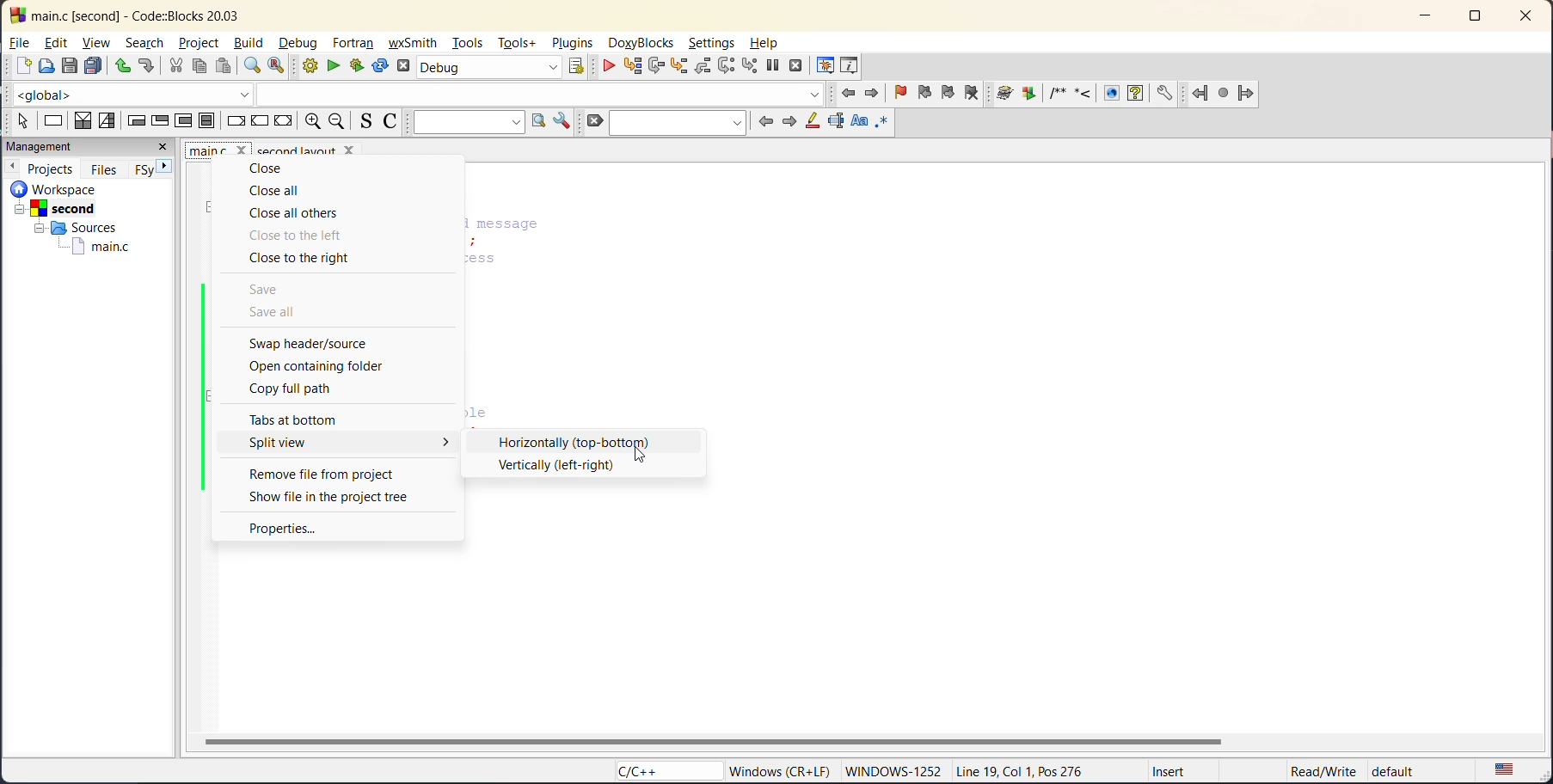 This screenshot has width=1553, height=784. What do you see at coordinates (746, 65) in the screenshot?
I see `step into instruction` at bounding box center [746, 65].